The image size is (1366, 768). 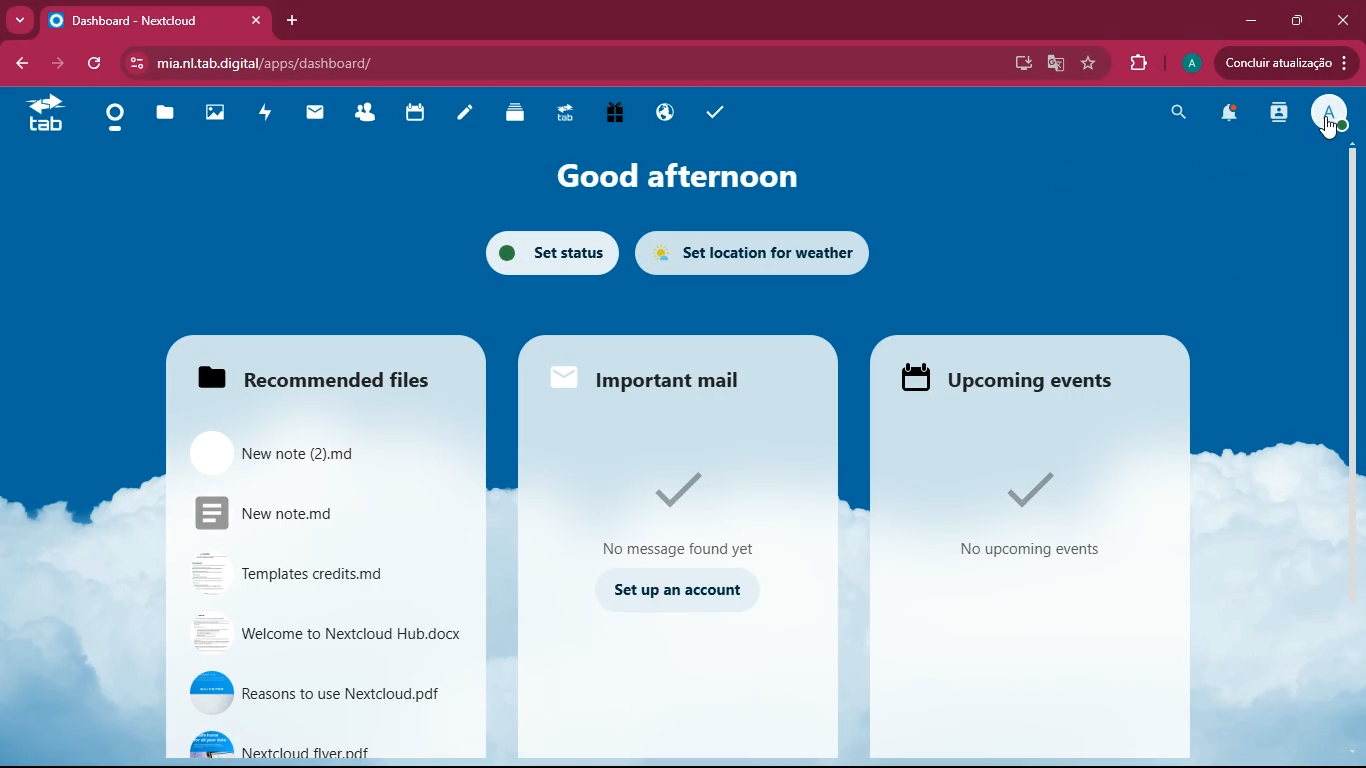 What do you see at coordinates (328, 371) in the screenshot?
I see `files` at bounding box center [328, 371].